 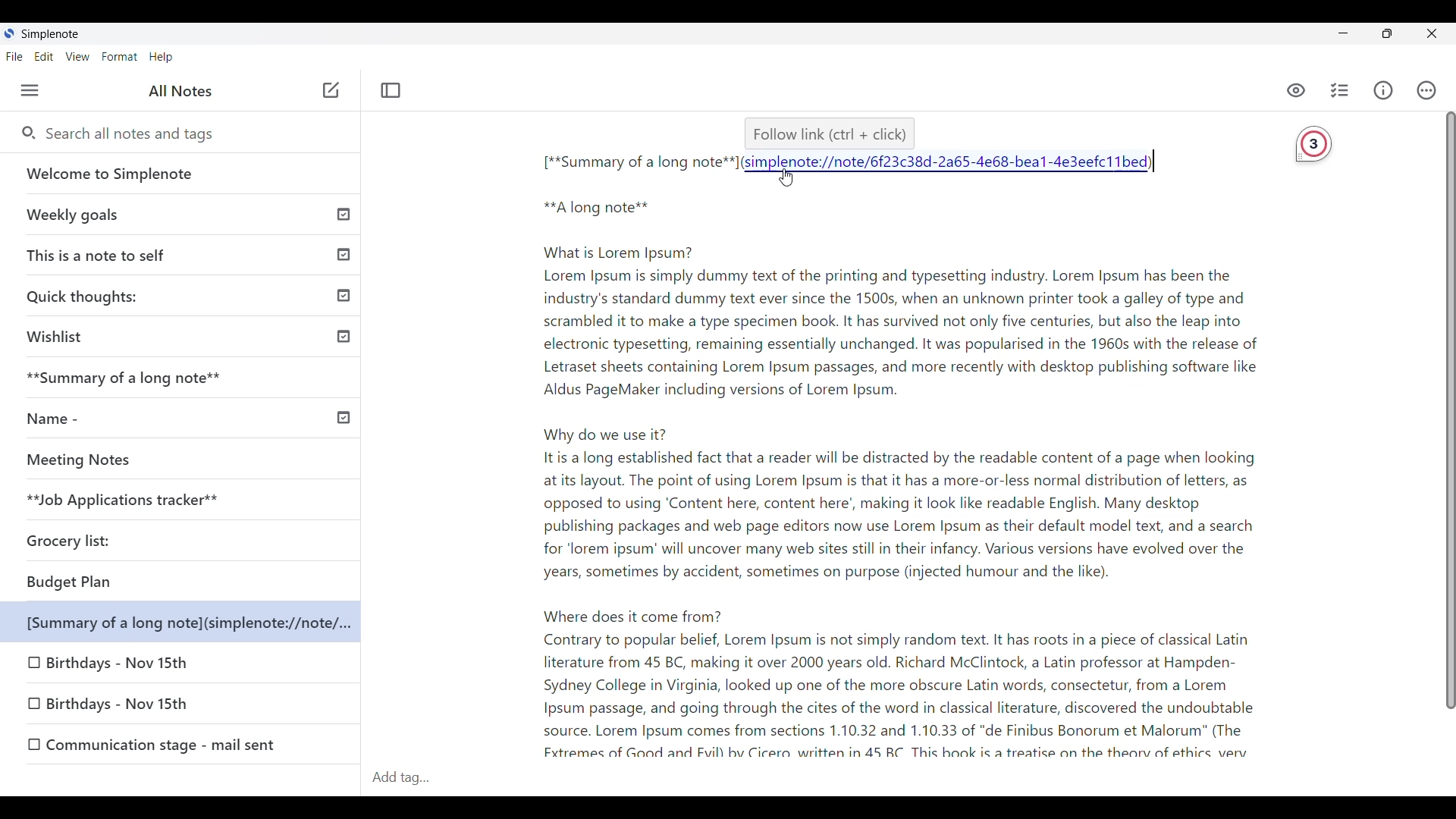 What do you see at coordinates (1388, 33) in the screenshot?
I see `Resize` at bounding box center [1388, 33].